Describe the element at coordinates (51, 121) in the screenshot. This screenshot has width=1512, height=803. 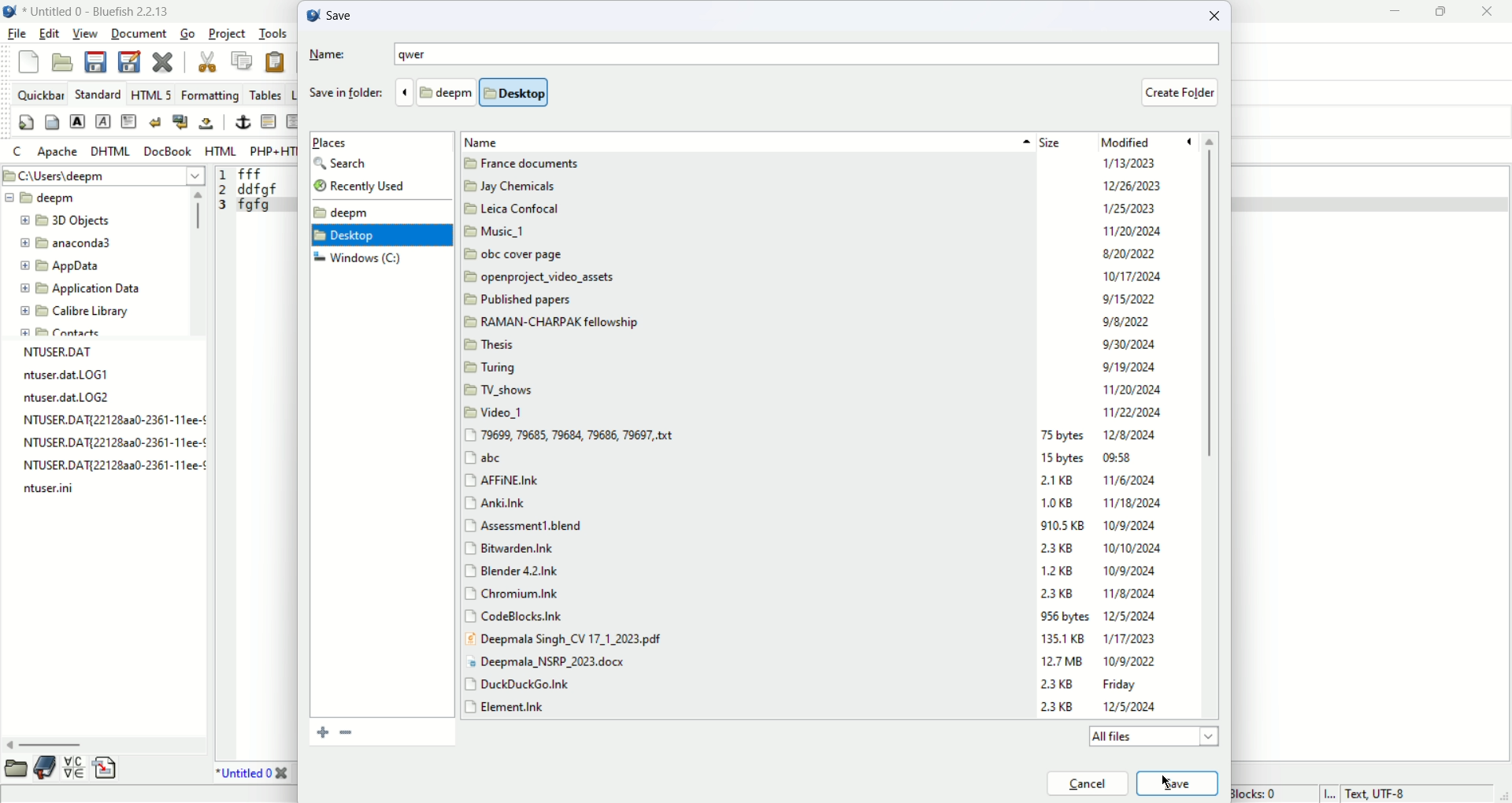
I see `body` at that location.